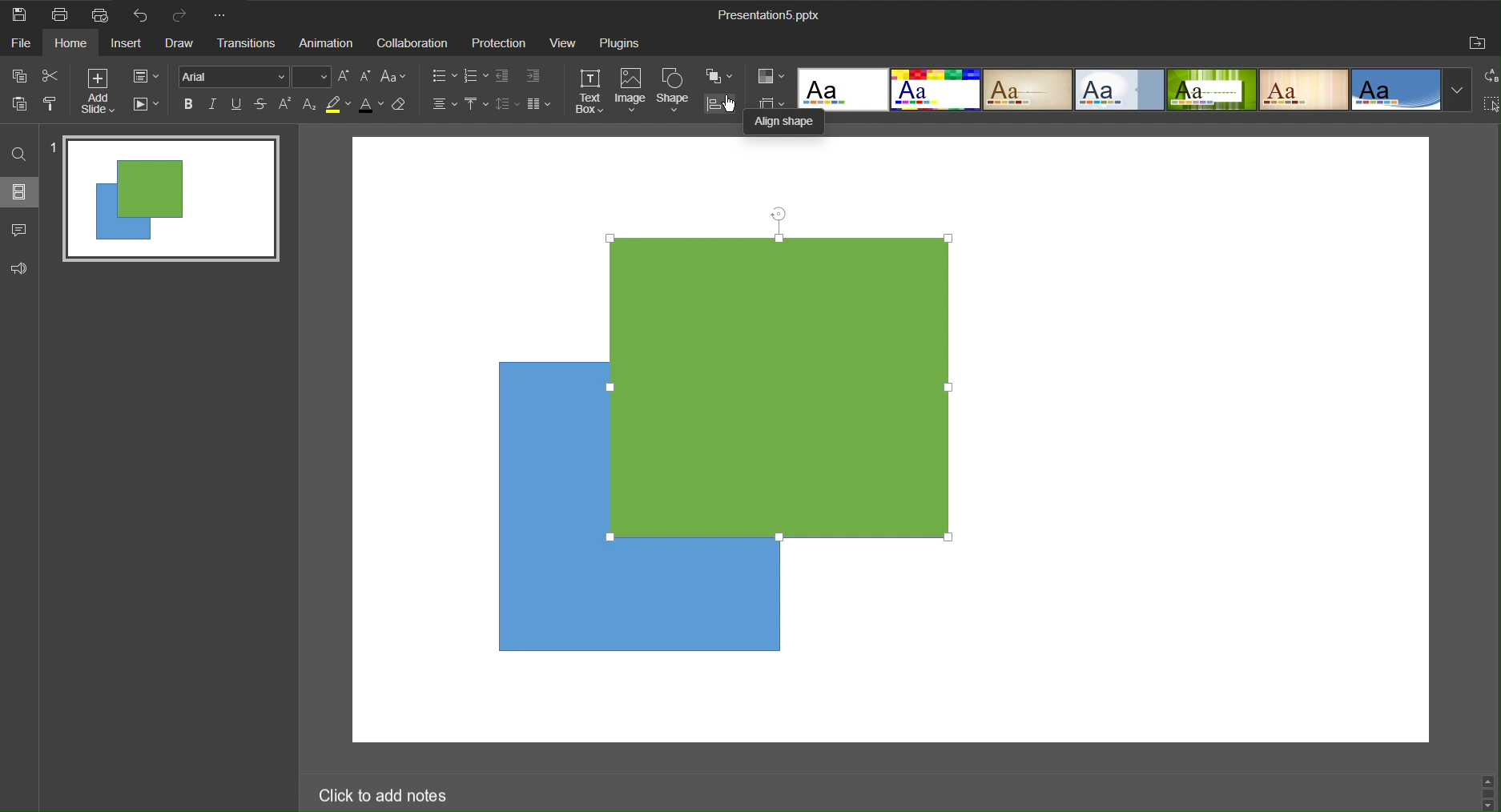 Image resolution: width=1501 pixels, height=812 pixels. What do you see at coordinates (407, 108) in the screenshot?
I see `Delete Style` at bounding box center [407, 108].